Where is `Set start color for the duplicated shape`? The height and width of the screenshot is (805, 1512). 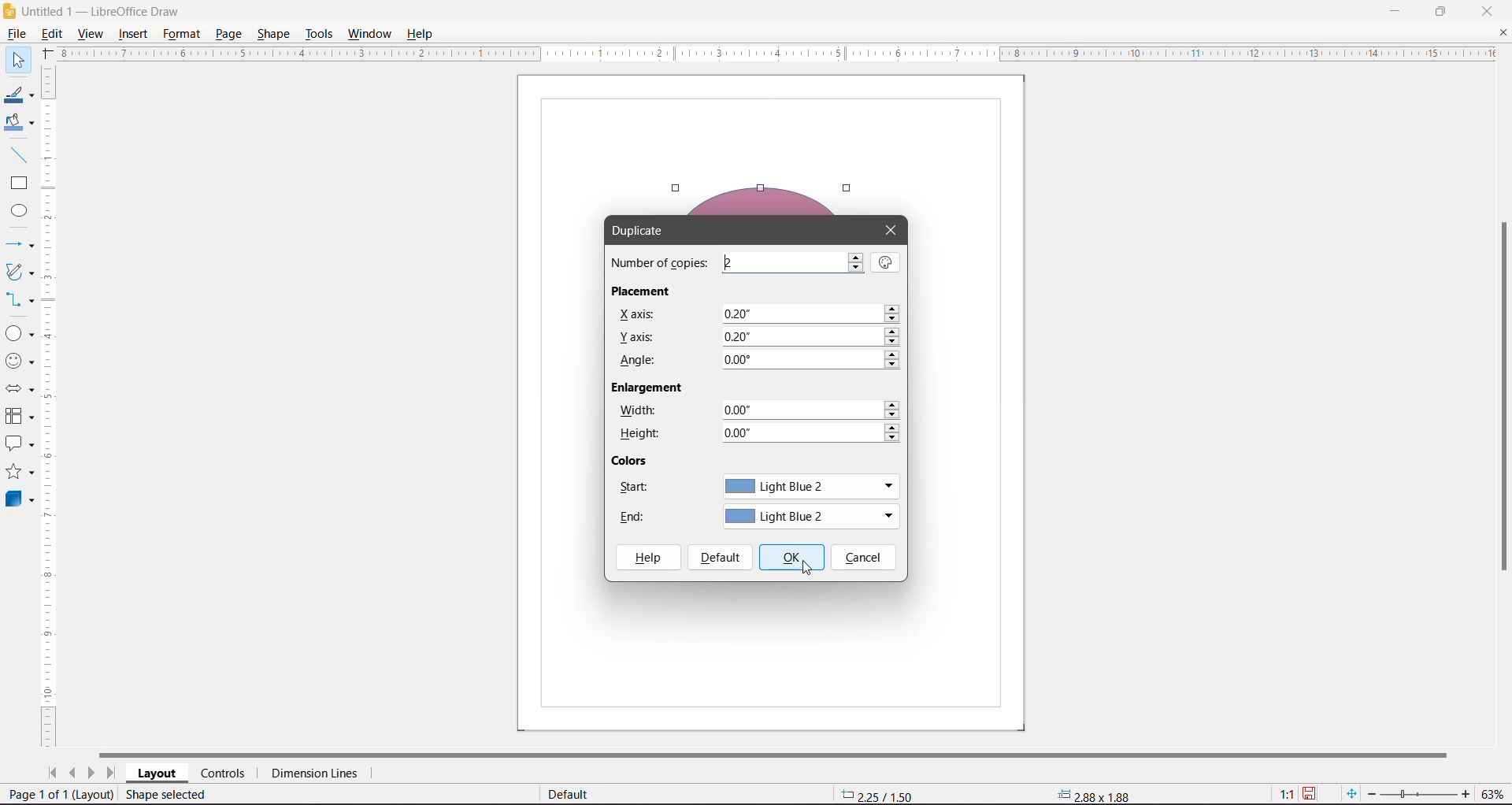
Set start color for the duplicated shape is located at coordinates (812, 487).